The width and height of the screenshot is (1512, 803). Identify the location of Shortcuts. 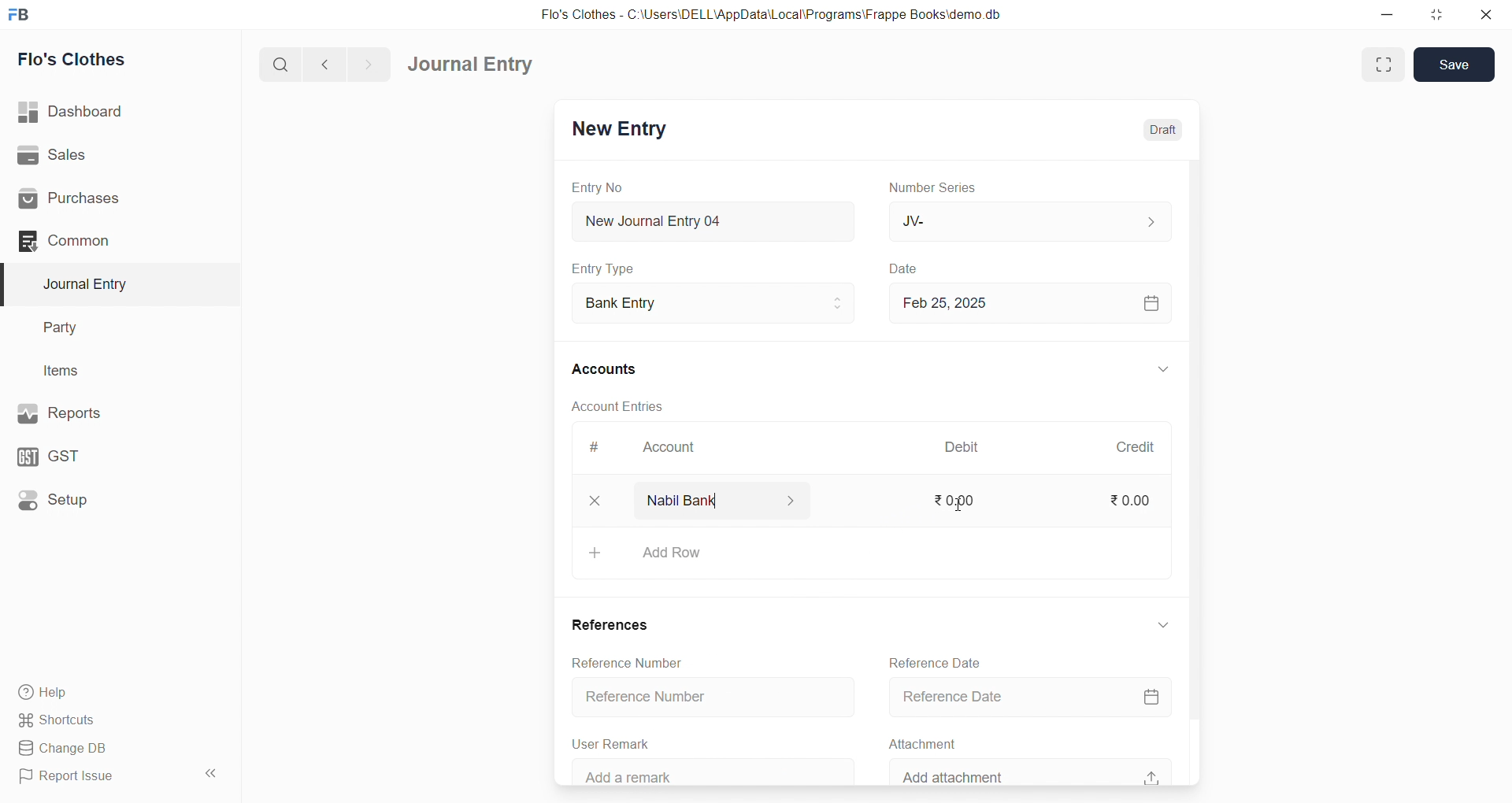
(115, 719).